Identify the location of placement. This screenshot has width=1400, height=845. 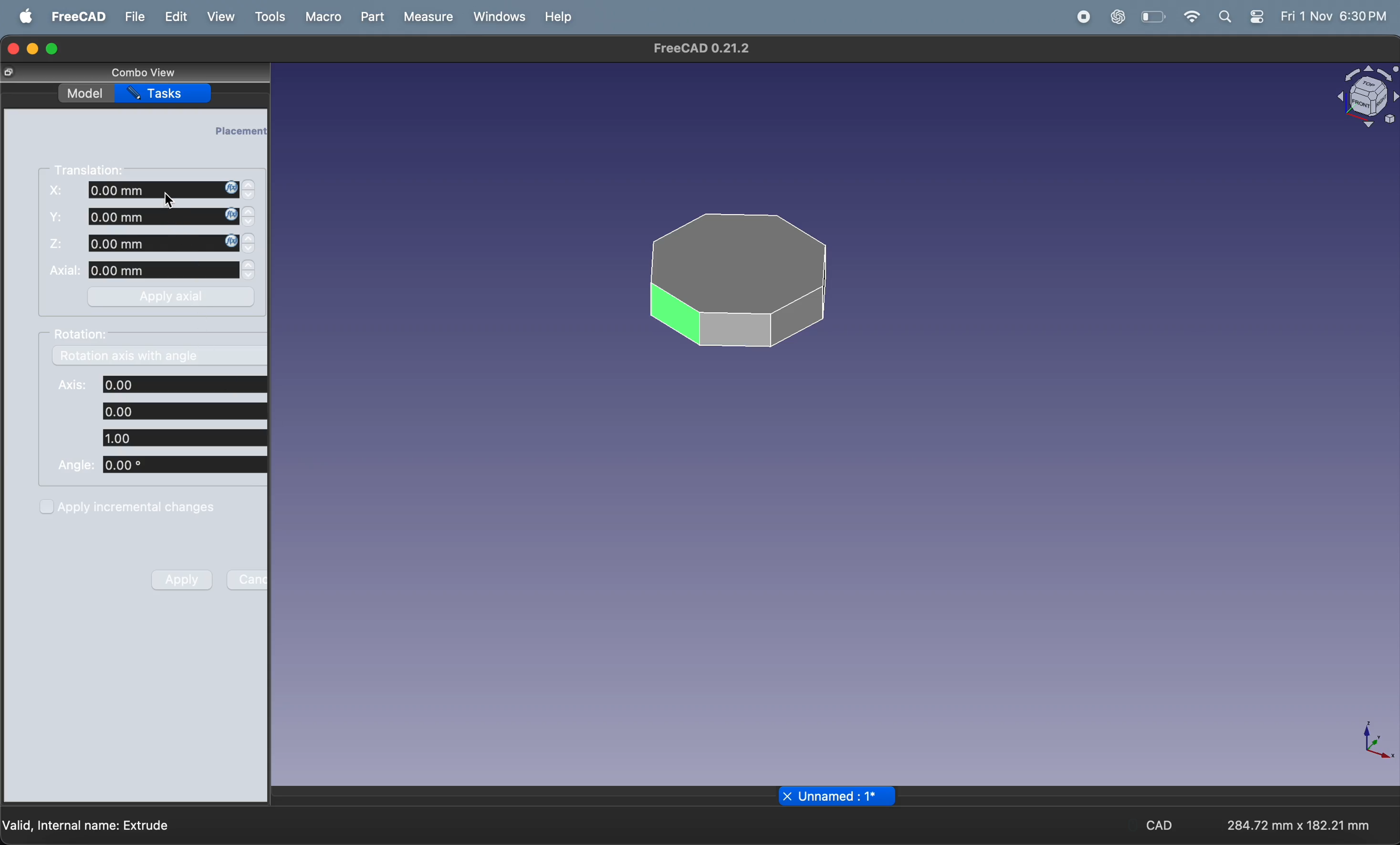
(240, 130).